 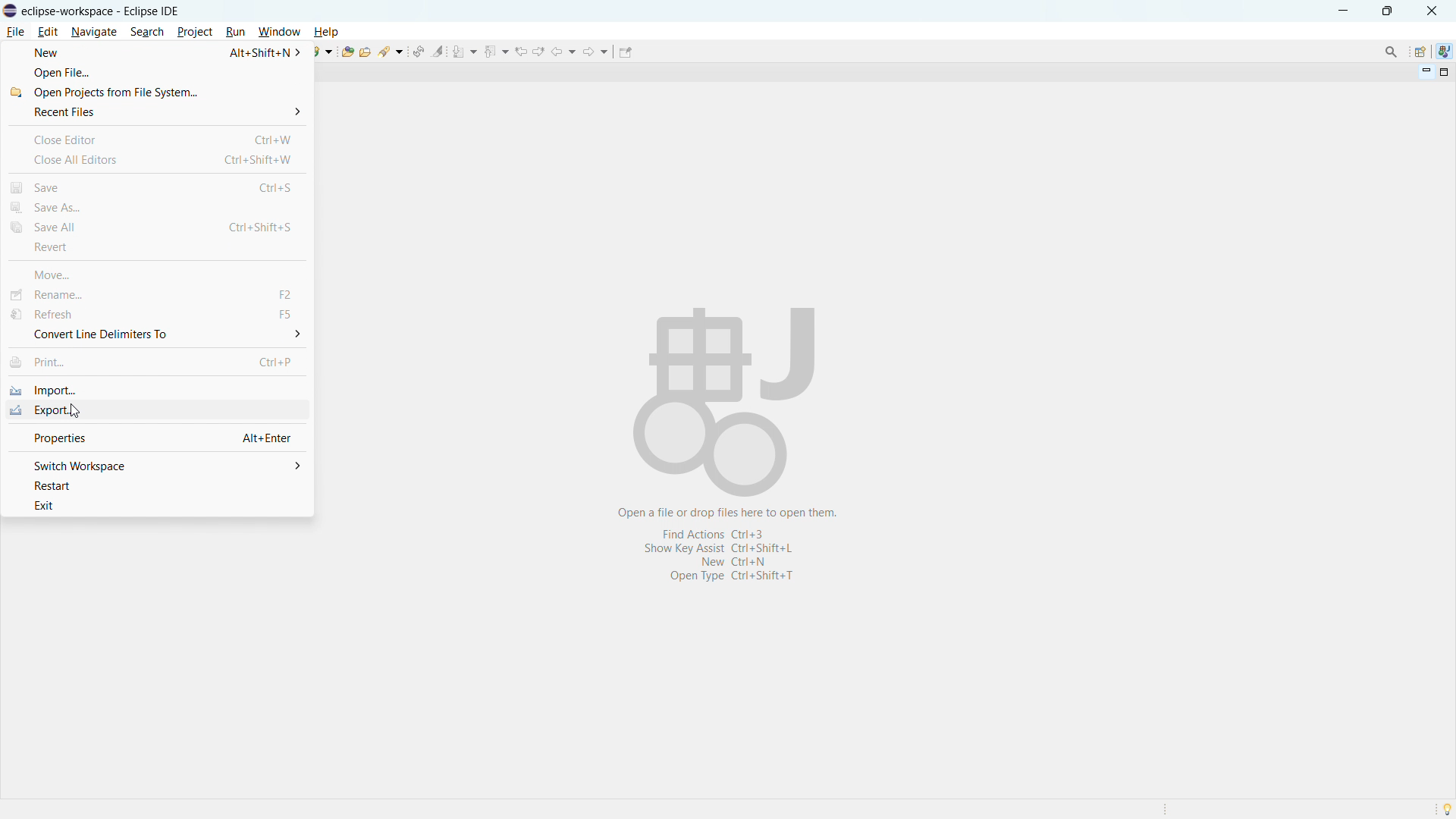 What do you see at coordinates (147, 32) in the screenshot?
I see `search` at bounding box center [147, 32].